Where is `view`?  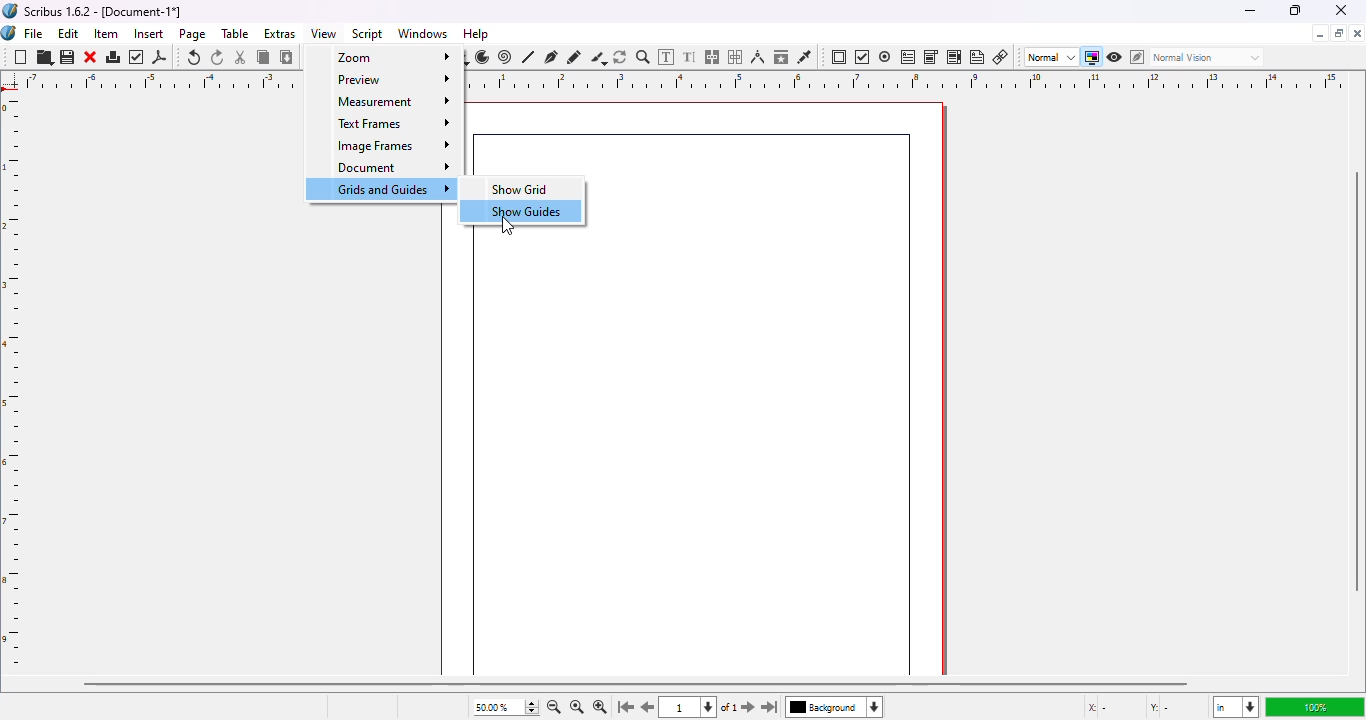
view is located at coordinates (324, 33).